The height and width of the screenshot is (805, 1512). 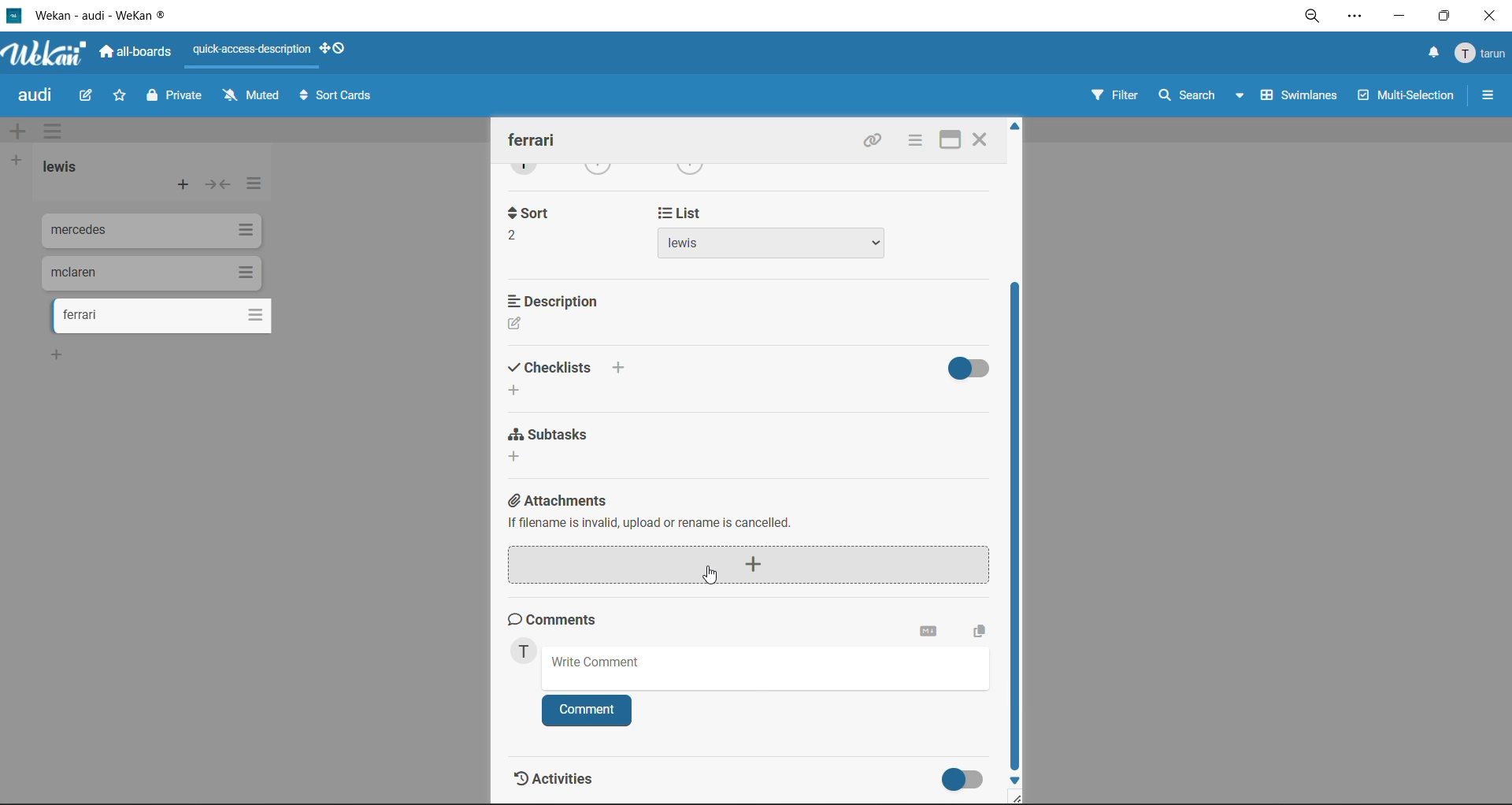 I want to click on sort cards, so click(x=336, y=98).